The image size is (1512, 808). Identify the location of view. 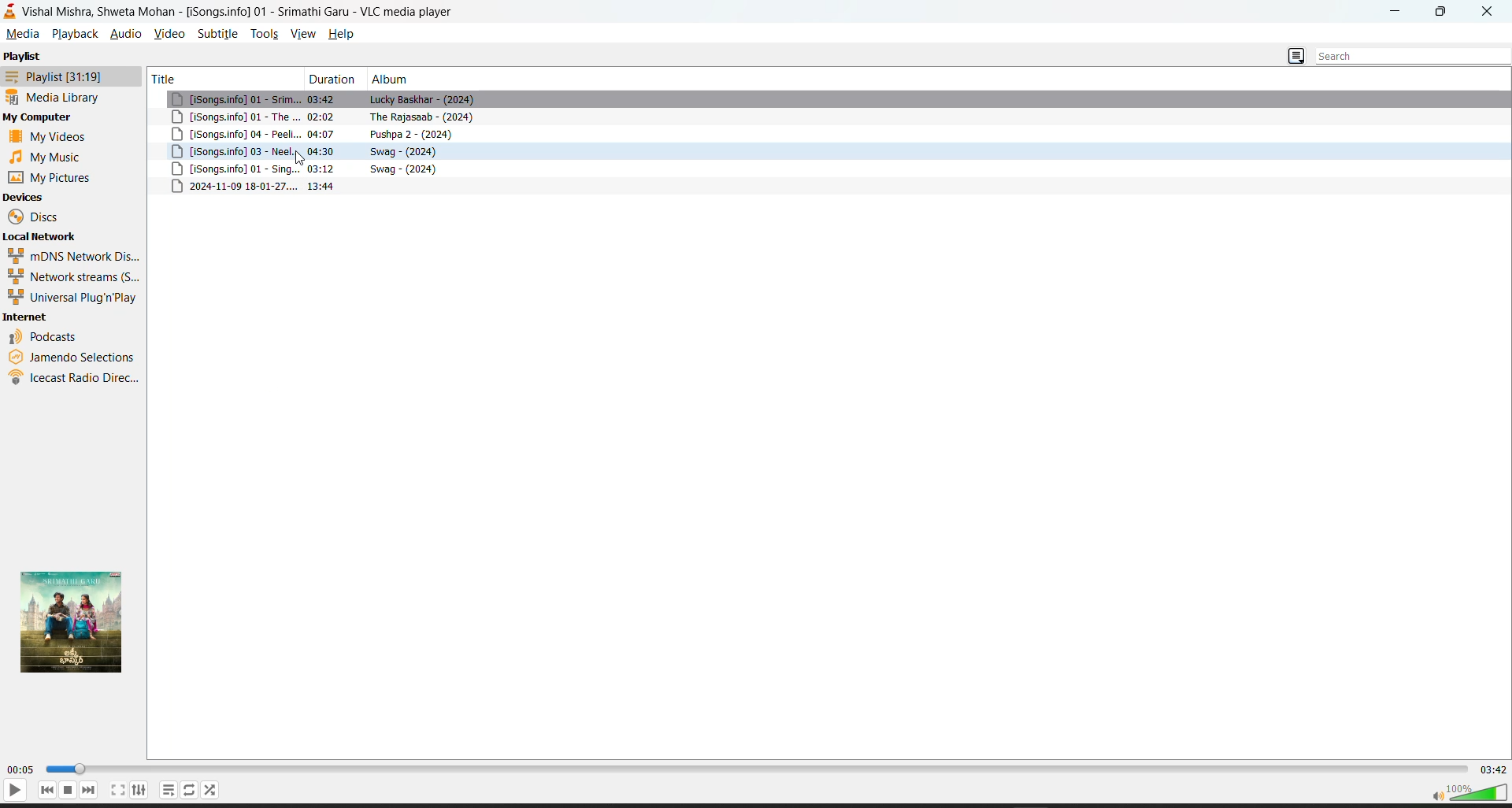
(300, 34).